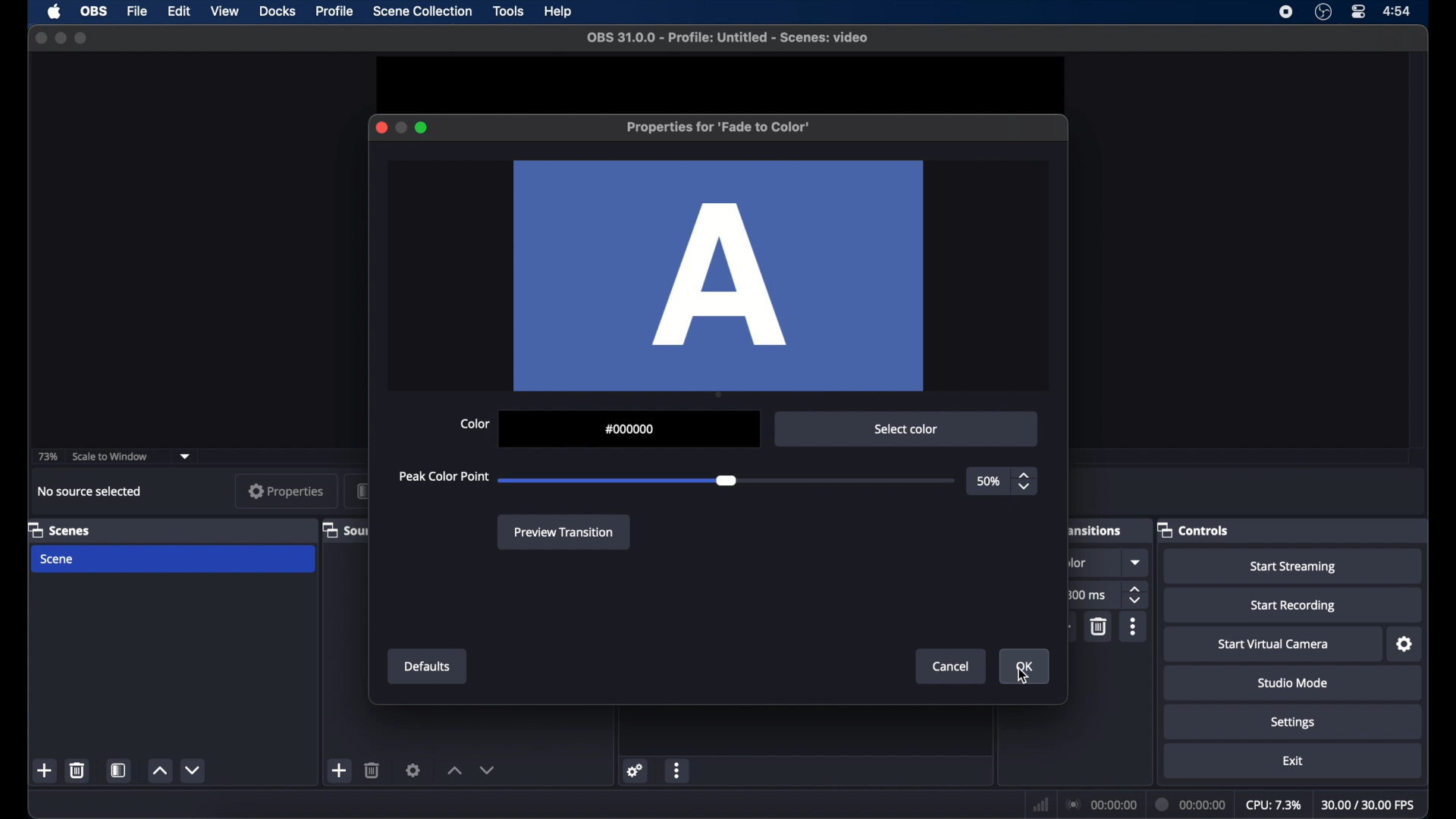 This screenshot has height=819, width=1456. Describe the element at coordinates (1100, 626) in the screenshot. I see `delete` at that location.